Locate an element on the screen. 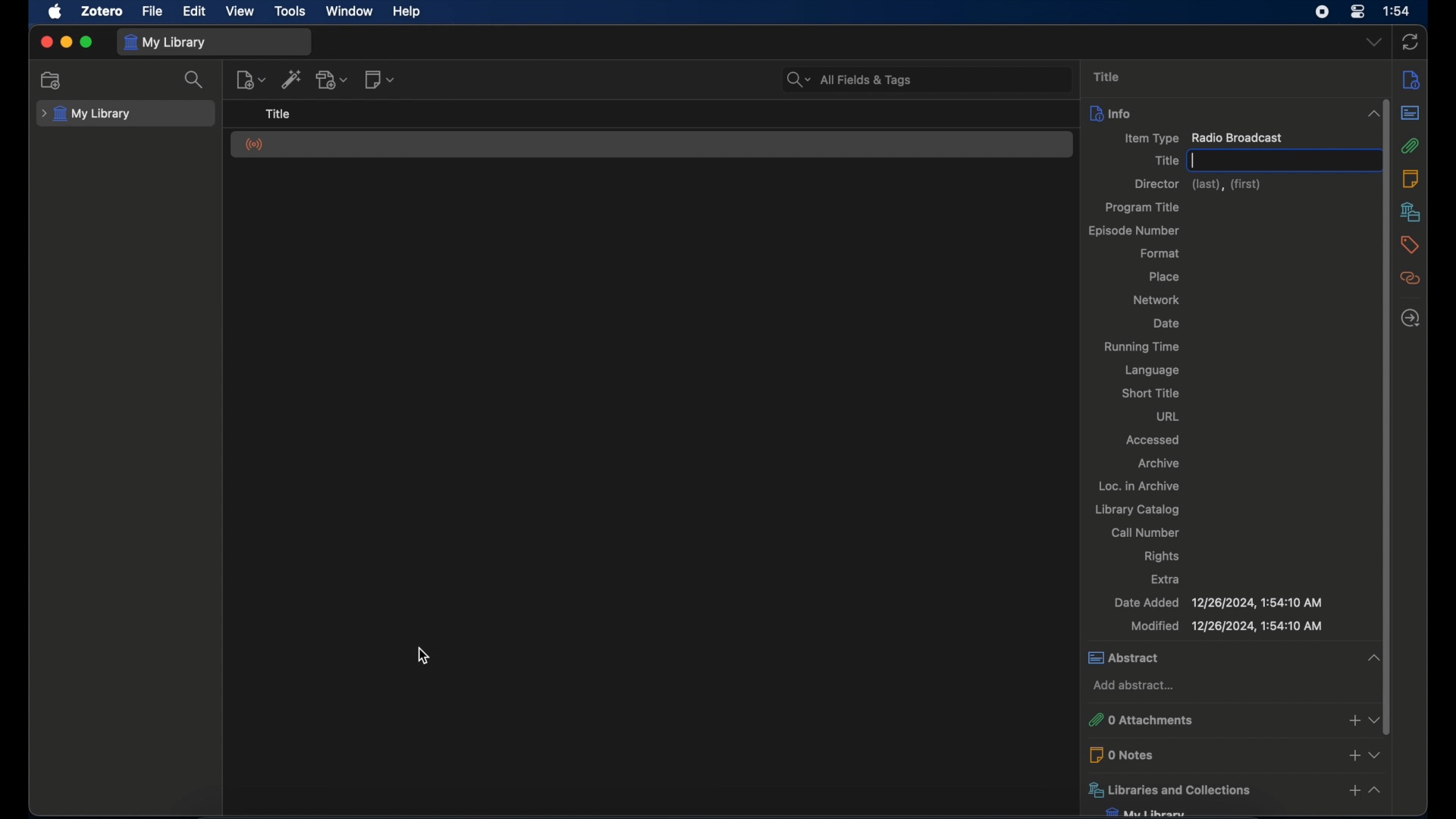 This screenshot has width=1456, height=819. rights is located at coordinates (1163, 557).